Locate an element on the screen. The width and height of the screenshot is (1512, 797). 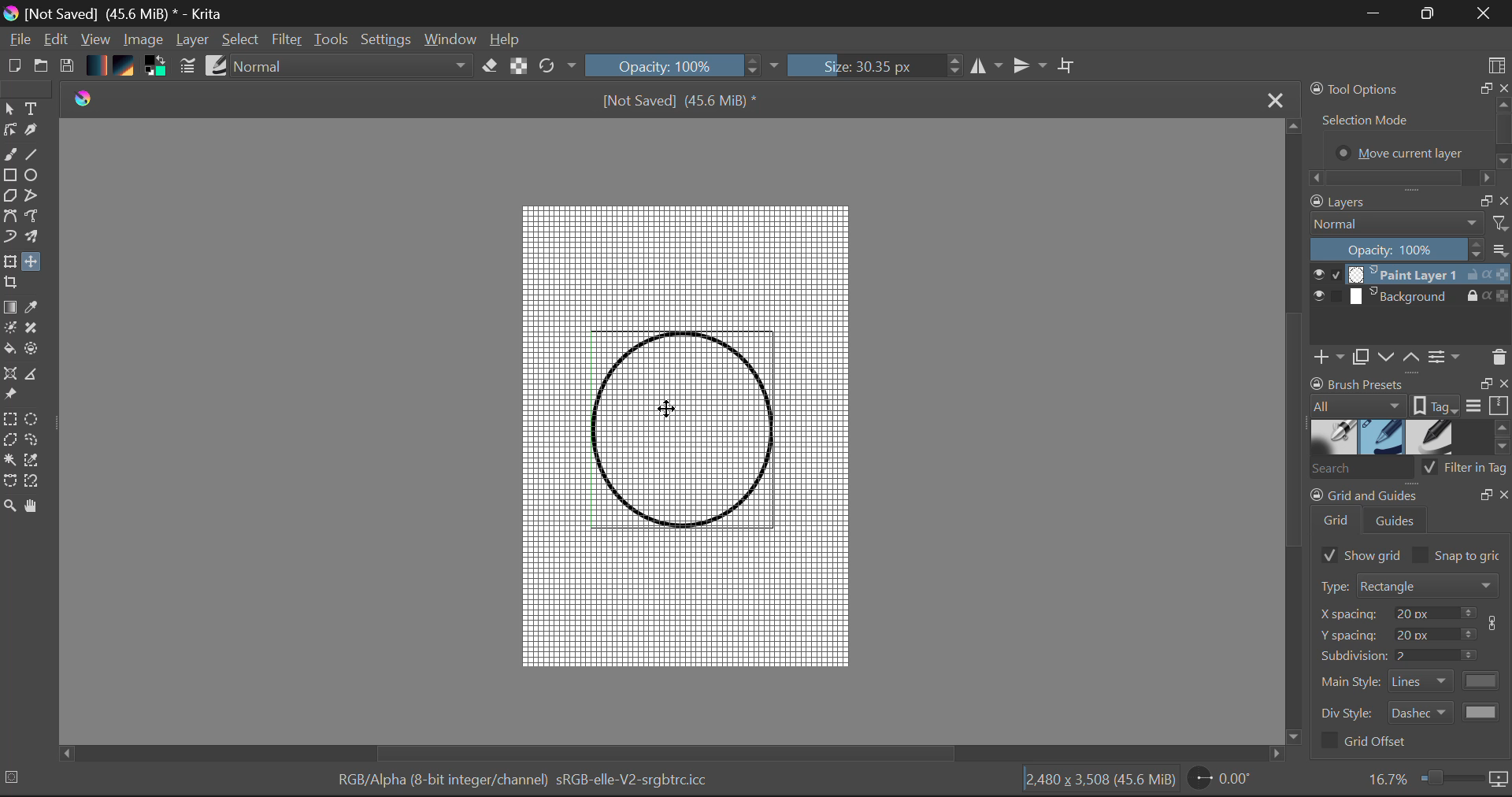
Polygon Selection is located at coordinates (10, 441).